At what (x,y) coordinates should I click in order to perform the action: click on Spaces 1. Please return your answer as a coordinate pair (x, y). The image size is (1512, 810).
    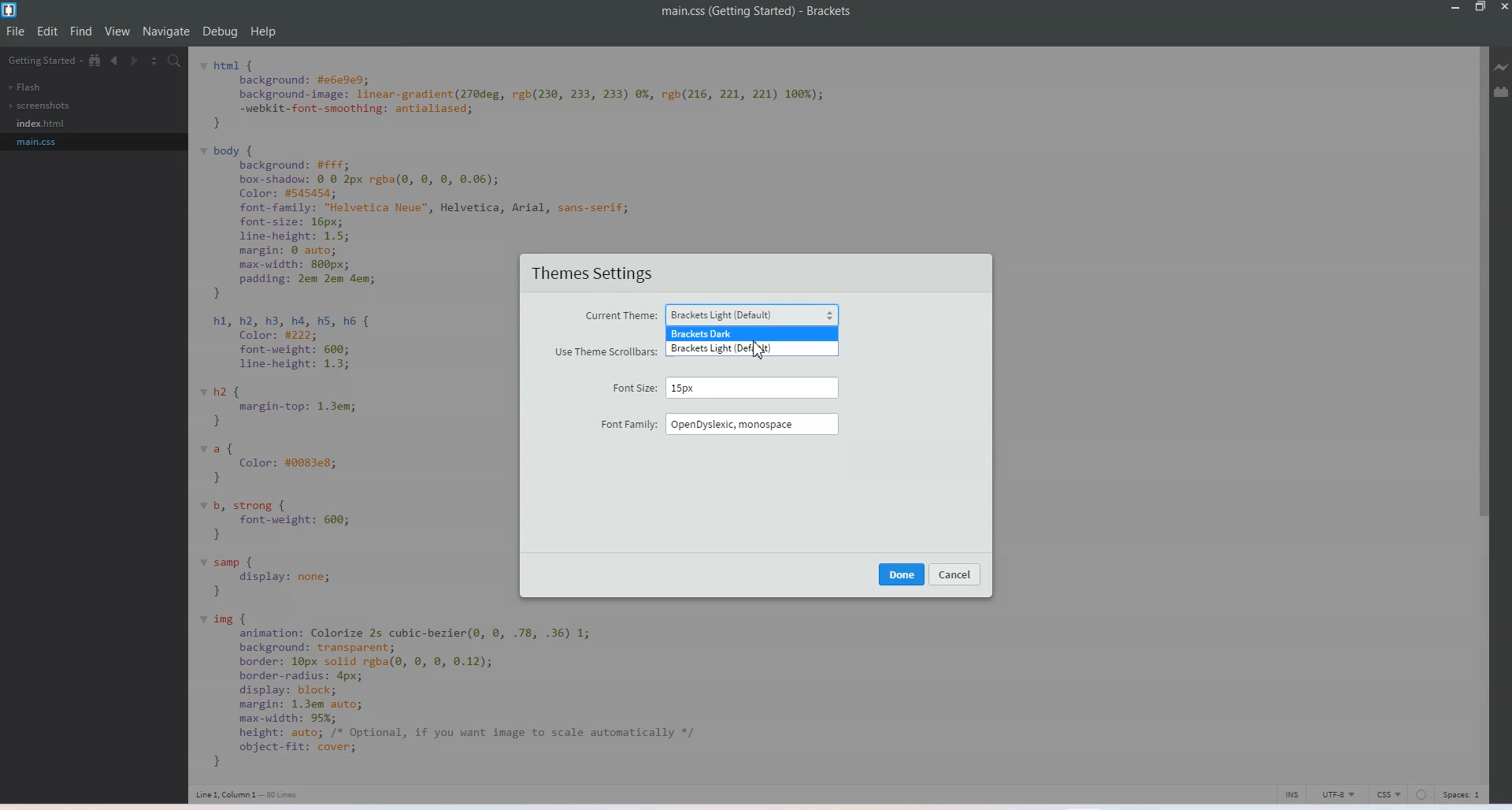
    Looking at the image, I should click on (1463, 794).